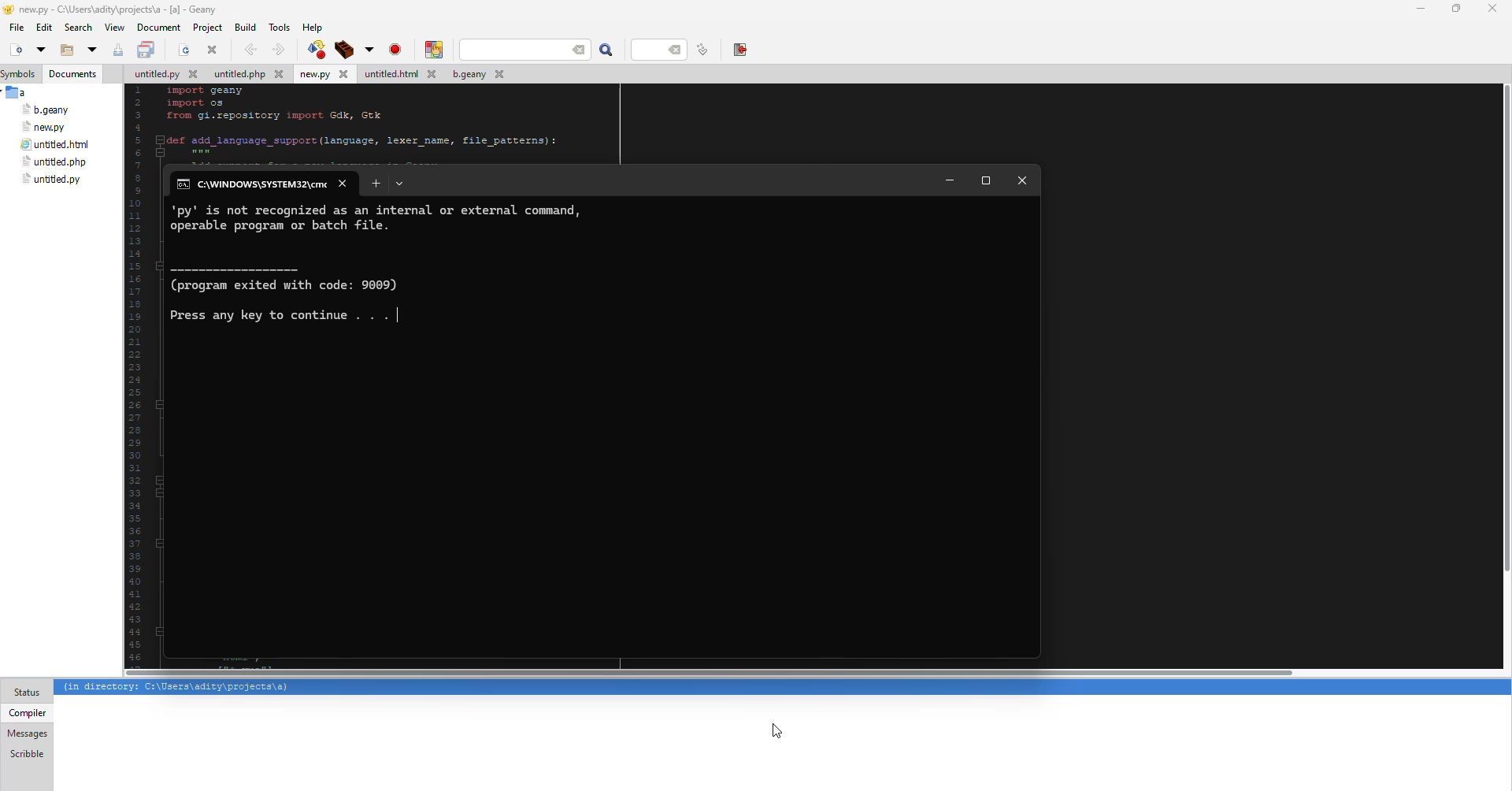  Describe the element at coordinates (182, 50) in the screenshot. I see `open` at that location.